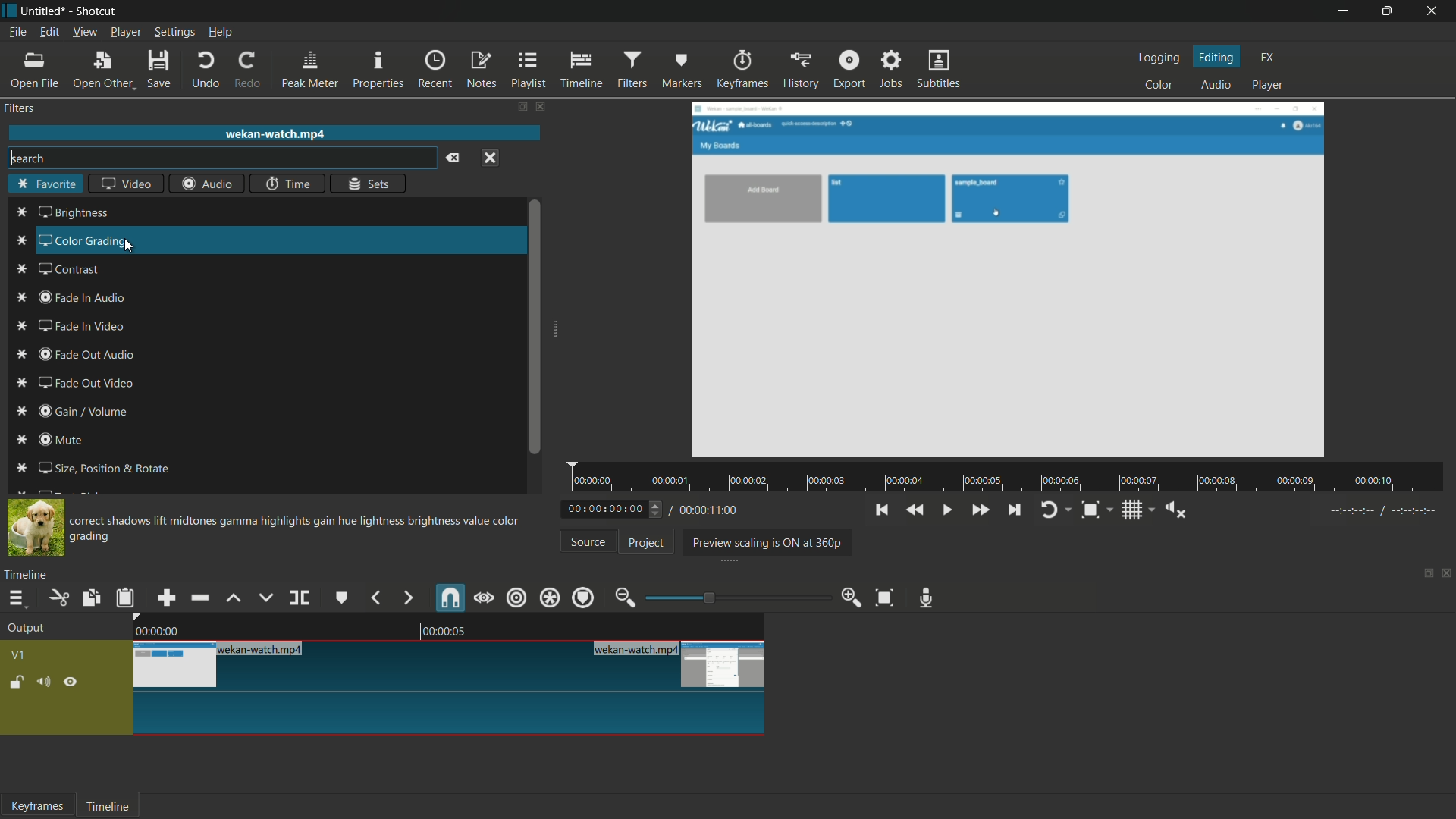  I want to click on timeline menu, so click(20, 598).